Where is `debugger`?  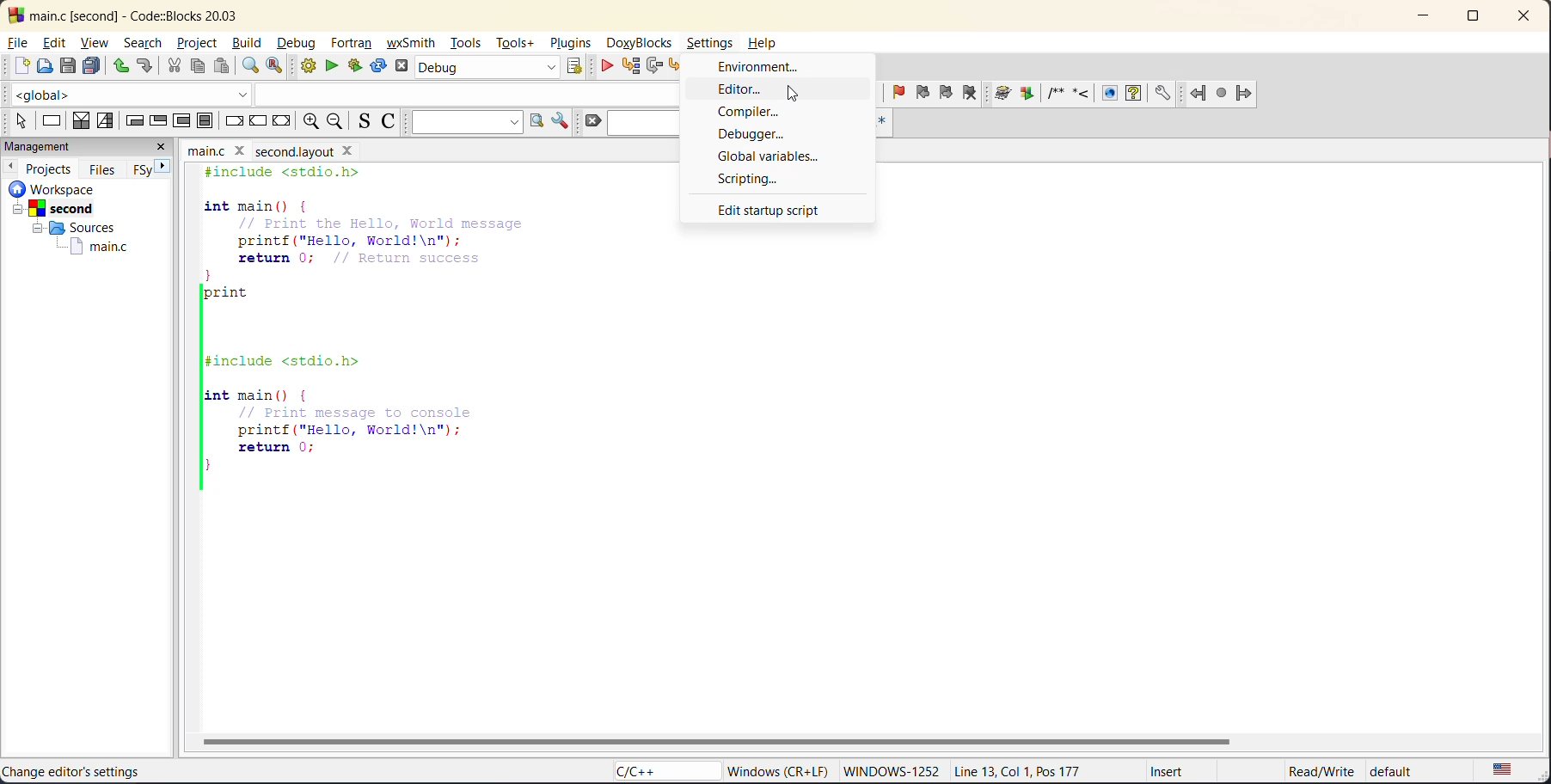
debugger is located at coordinates (760, 132).